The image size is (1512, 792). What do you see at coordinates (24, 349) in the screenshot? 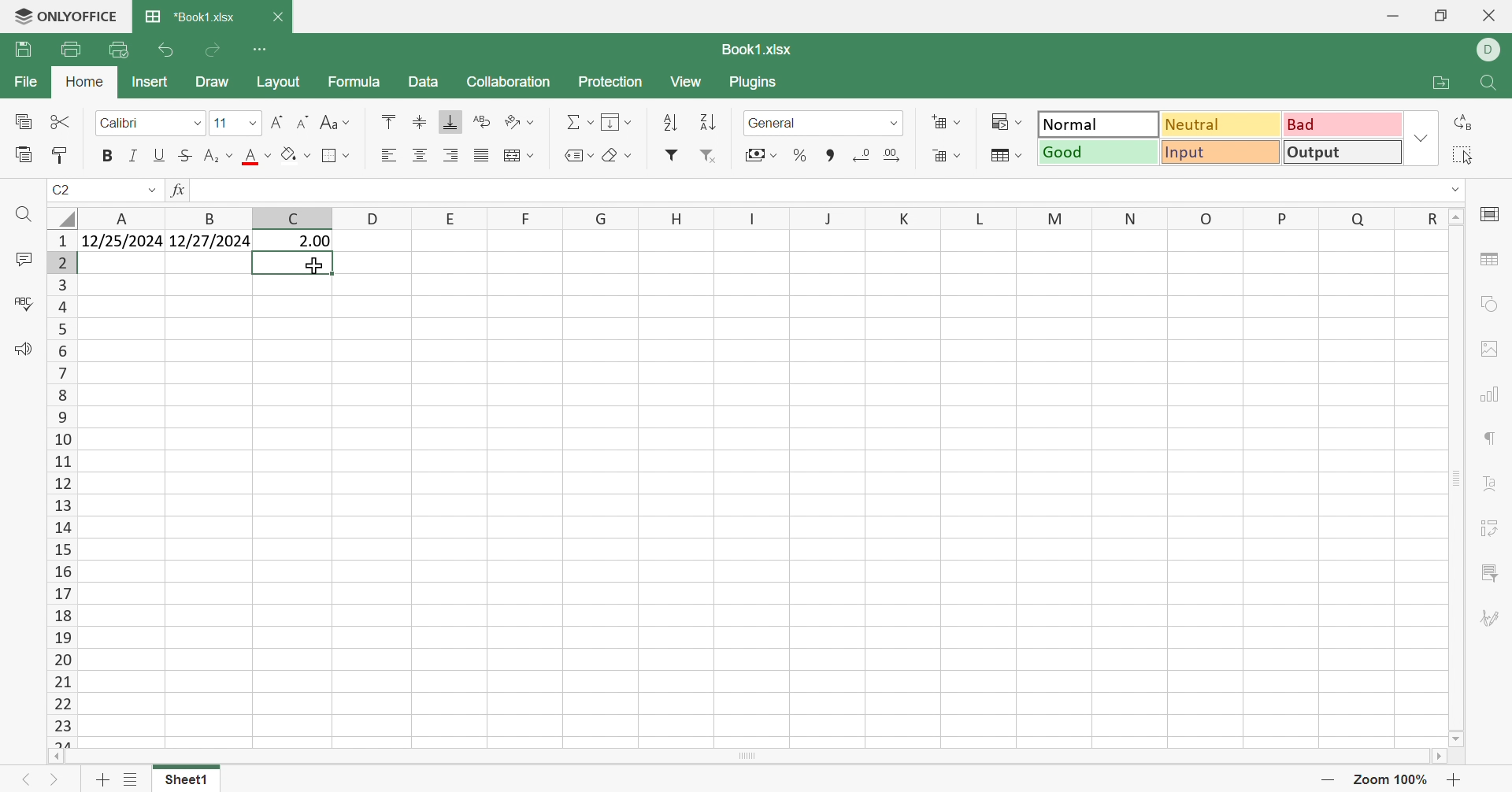
I see `Feedback & Support` at bounding box center [24, 349].